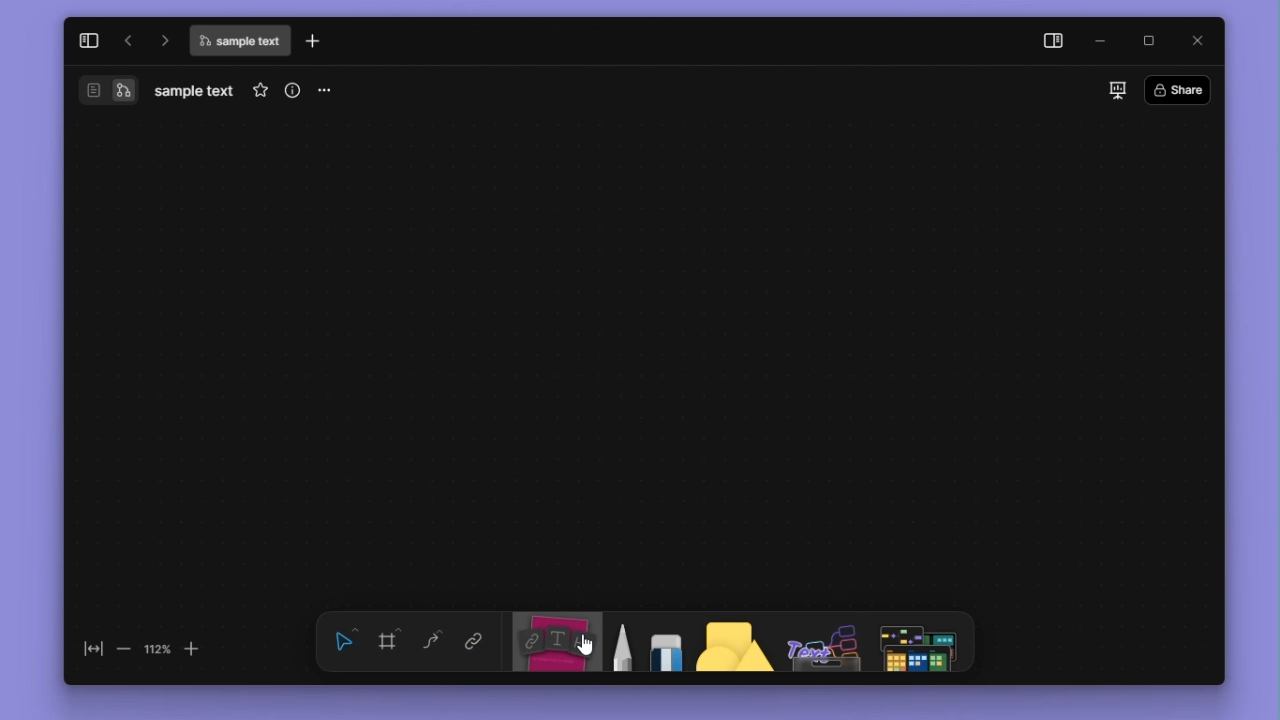 The height and width of the screenshot is (720, 1280). Describe the element at coordinates (559, 642) in the screenshot. I see `note` at that location.